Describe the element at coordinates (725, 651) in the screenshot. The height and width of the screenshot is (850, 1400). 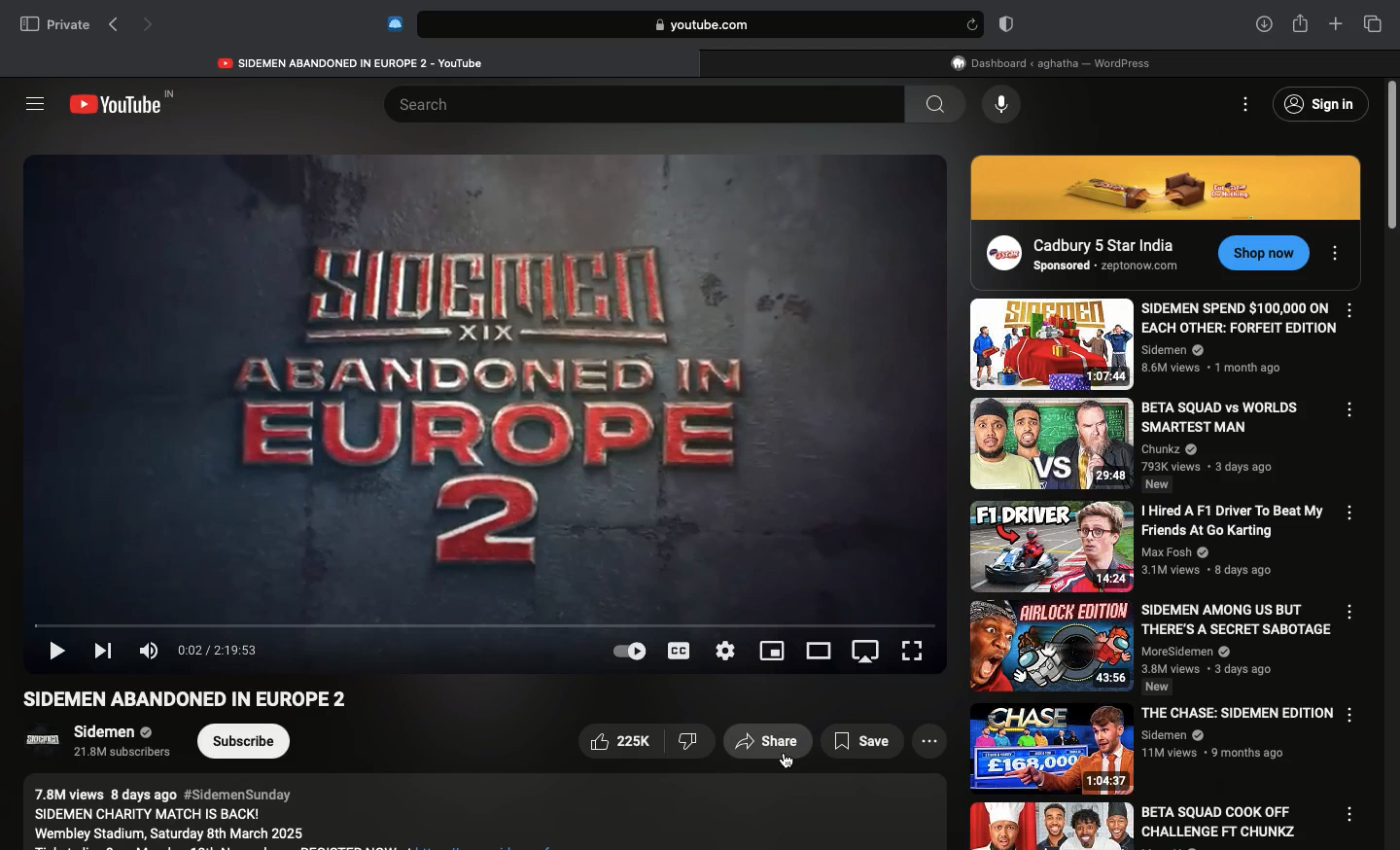
I see `Settings` at that location.